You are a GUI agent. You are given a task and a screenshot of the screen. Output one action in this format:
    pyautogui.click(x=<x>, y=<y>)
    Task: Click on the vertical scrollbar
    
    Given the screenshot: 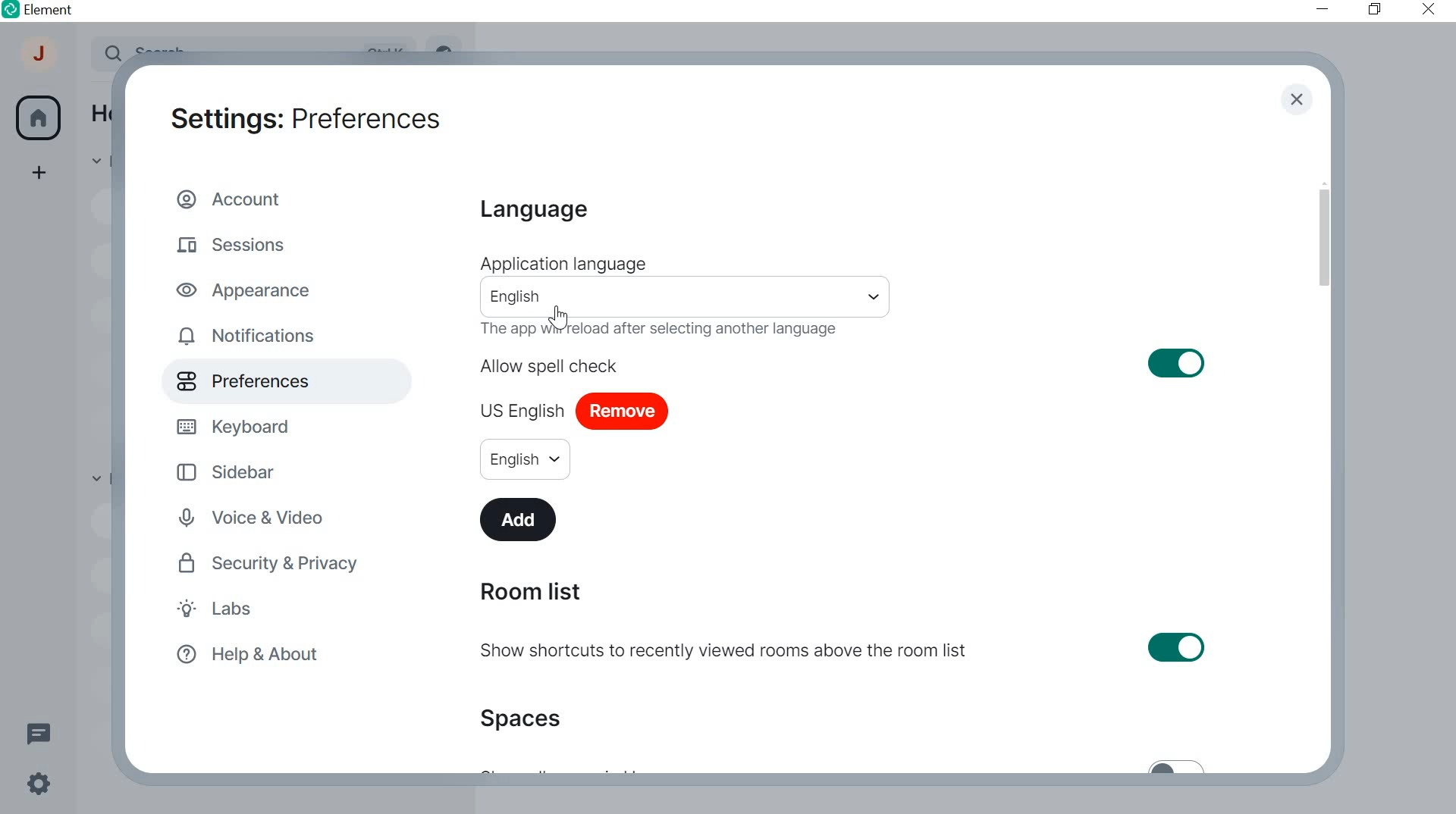 What is the action you would take?
    pyautogui.click(x=1323, y=238)
    